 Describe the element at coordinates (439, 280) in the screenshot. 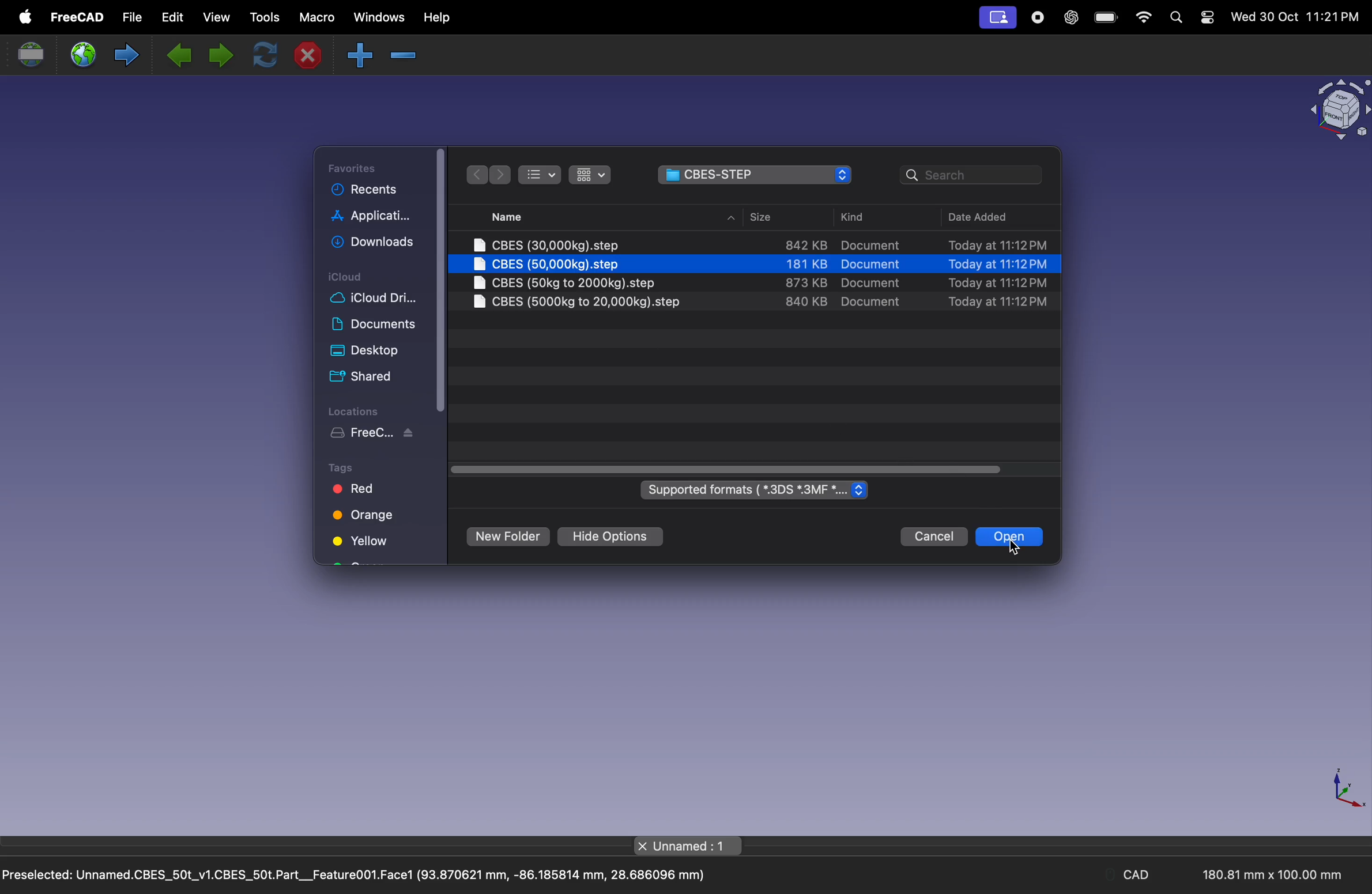

I see `scroll bar` at that location.